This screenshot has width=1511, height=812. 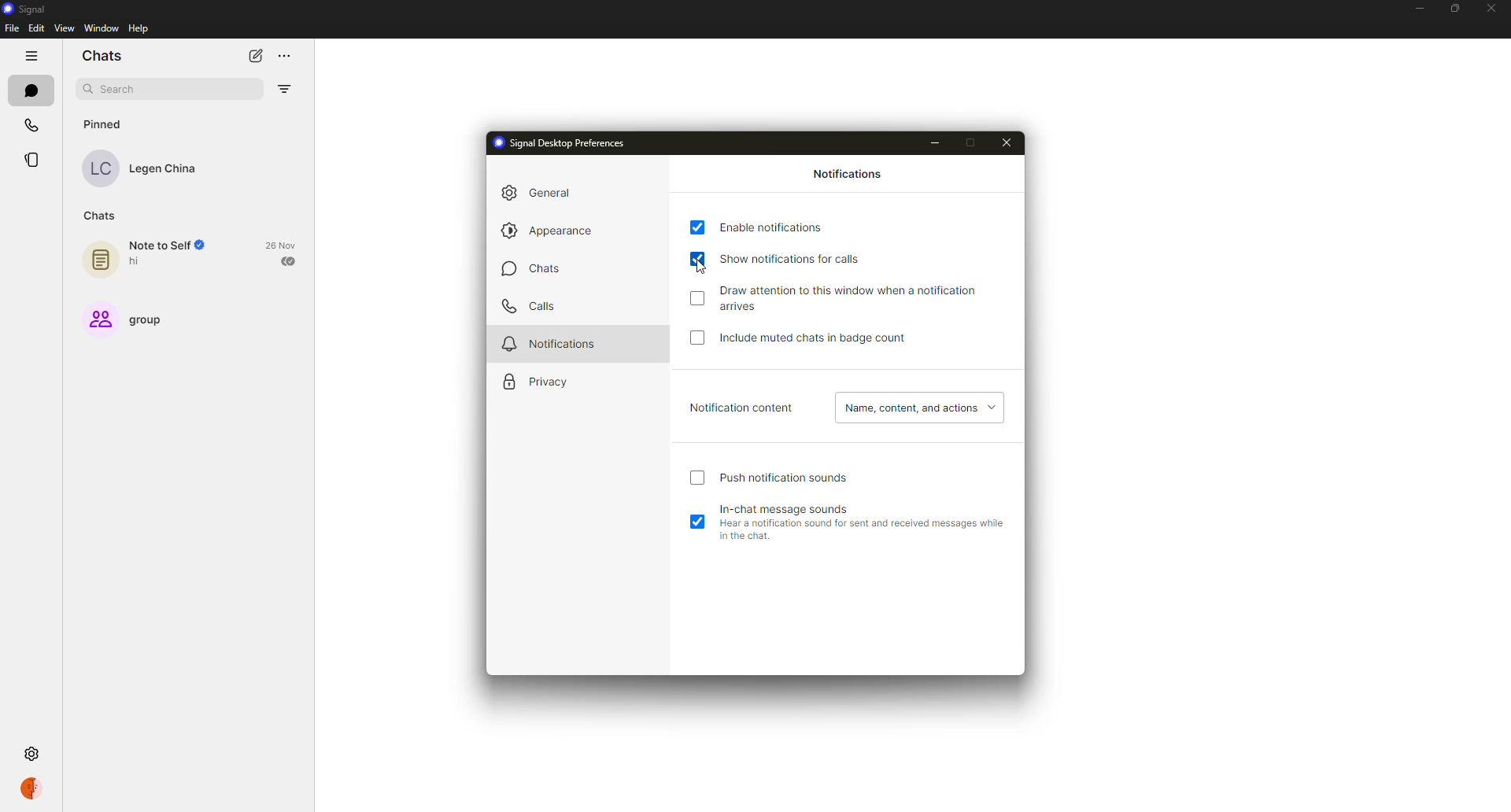 What do you see at coordinates (700, 269) in the screenshot?
I see `cursor` at bounding box center [700, 269].